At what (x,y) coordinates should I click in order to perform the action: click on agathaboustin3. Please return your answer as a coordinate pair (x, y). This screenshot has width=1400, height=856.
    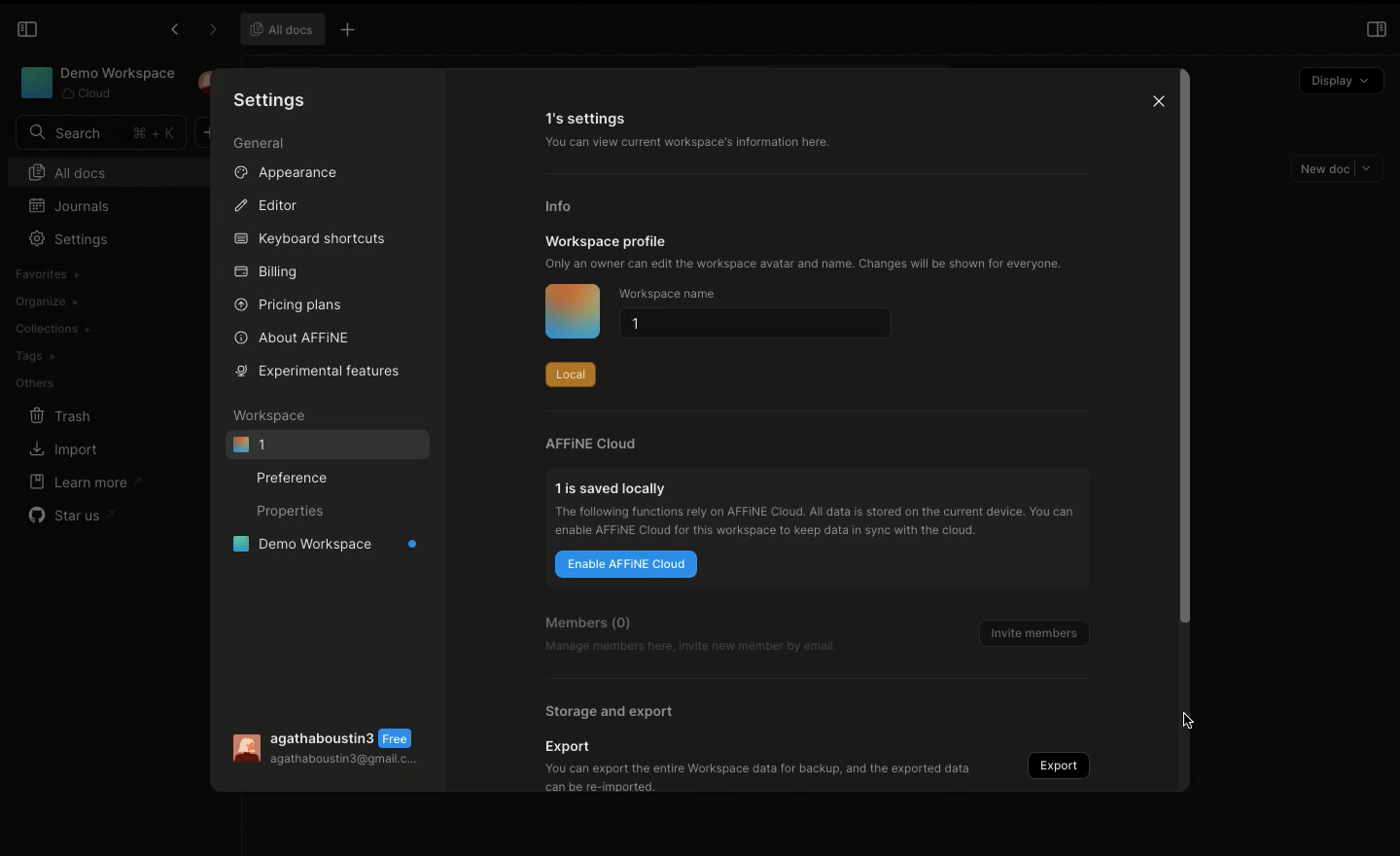
    Looking at the image, I should click on (324, 736).